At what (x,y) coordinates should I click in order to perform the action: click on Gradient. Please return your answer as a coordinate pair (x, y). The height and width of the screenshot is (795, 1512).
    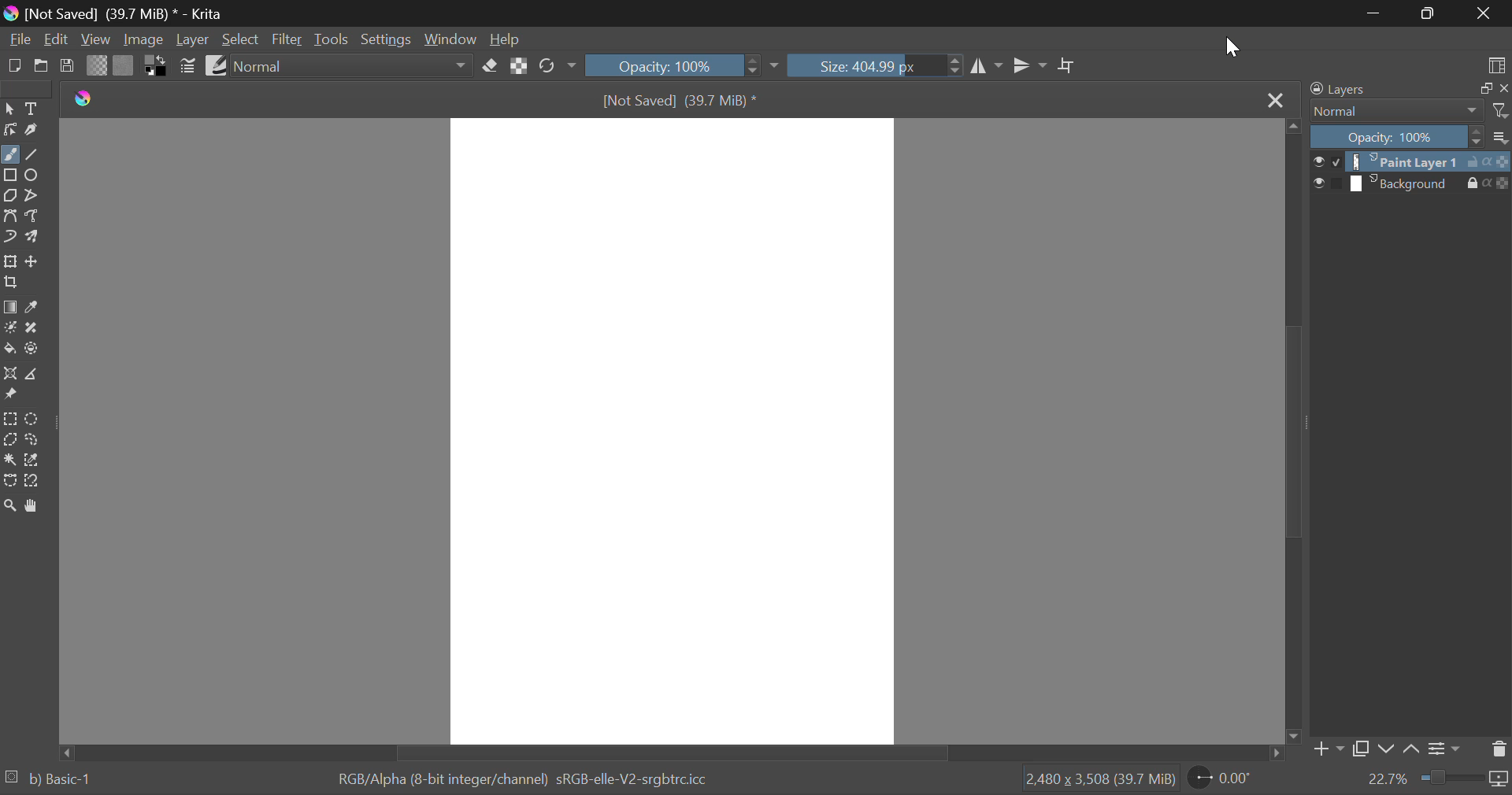
    Looking at the image, I should click on (98, 65).